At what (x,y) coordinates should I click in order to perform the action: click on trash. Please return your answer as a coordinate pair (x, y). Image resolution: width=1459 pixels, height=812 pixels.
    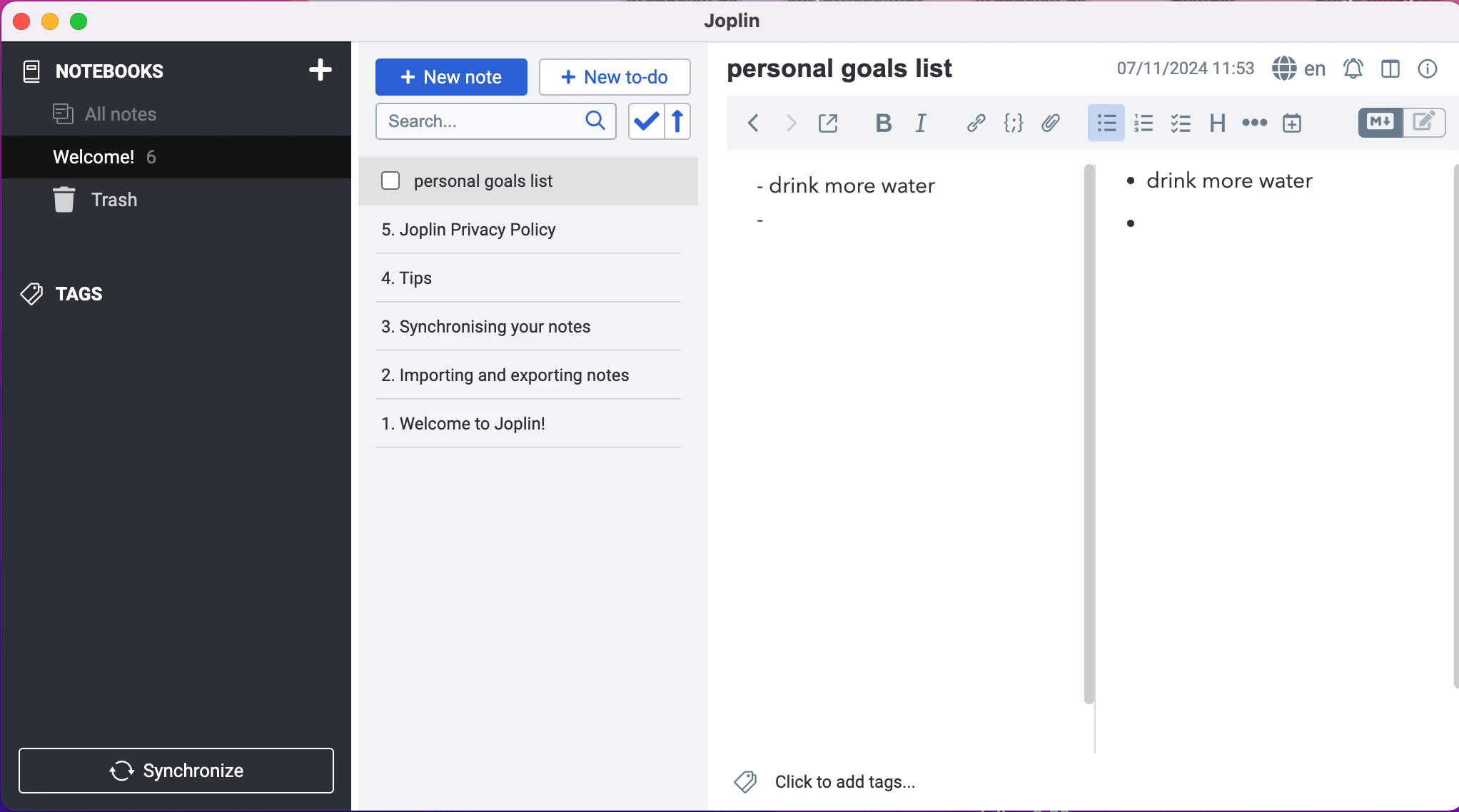
    Looking at the image, I should click on (131, 200).